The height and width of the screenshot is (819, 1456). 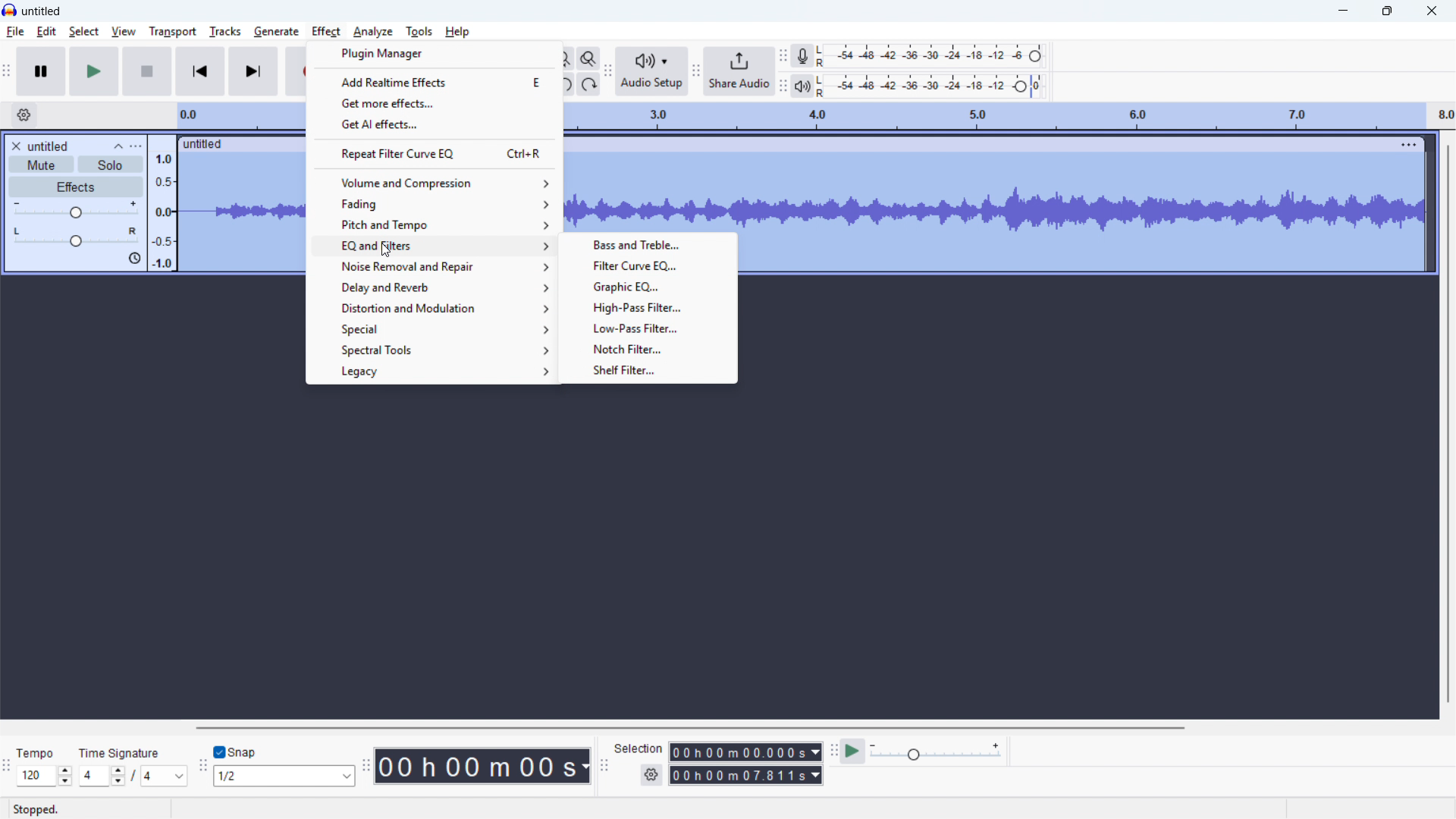 I want to click on Playback metre , so click(x=802, y=86).